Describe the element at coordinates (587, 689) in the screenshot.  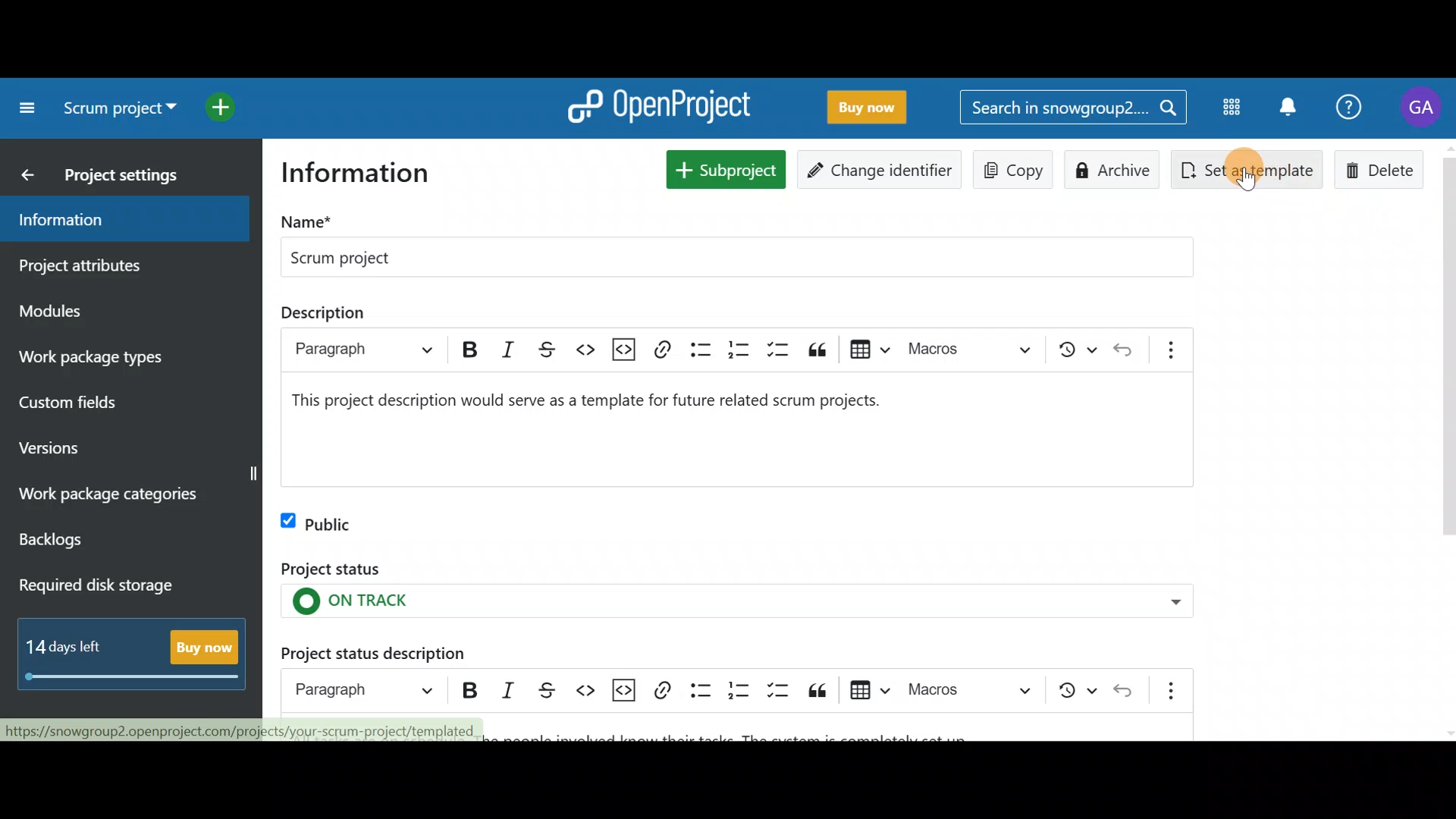
I see `Code` at that location.